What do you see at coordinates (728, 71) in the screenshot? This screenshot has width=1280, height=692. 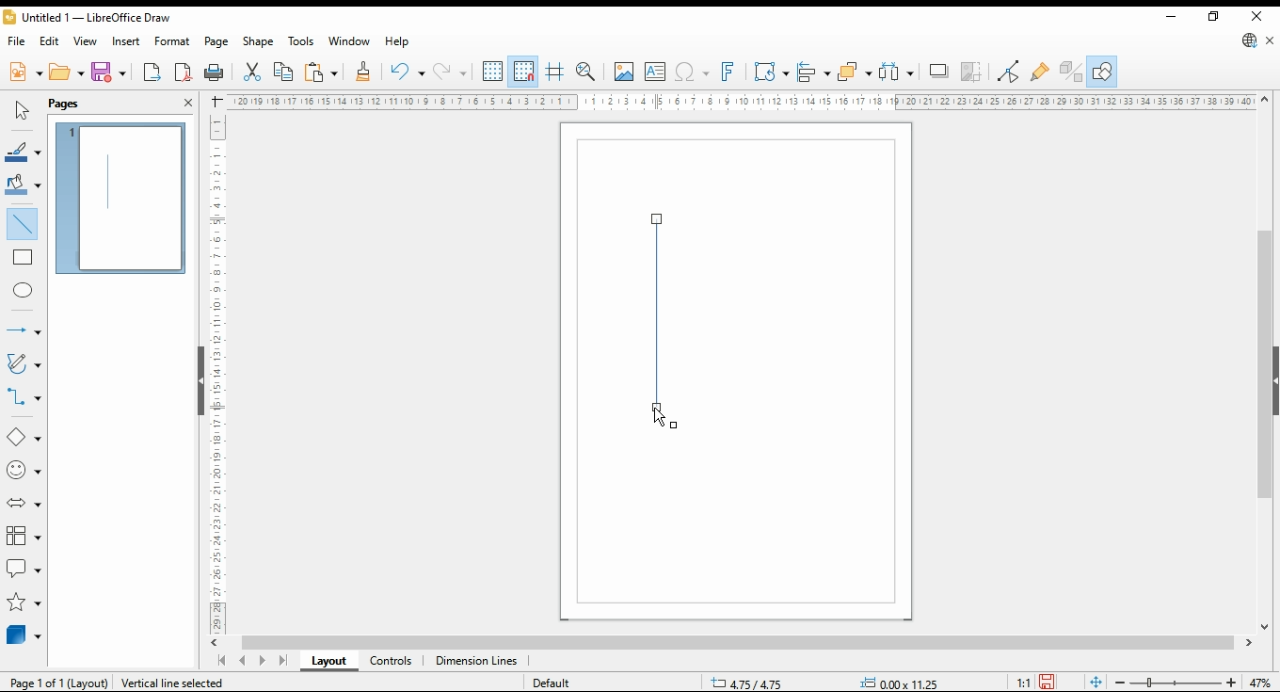 I see `insert fontwork text` at bounding box center [728, 71].